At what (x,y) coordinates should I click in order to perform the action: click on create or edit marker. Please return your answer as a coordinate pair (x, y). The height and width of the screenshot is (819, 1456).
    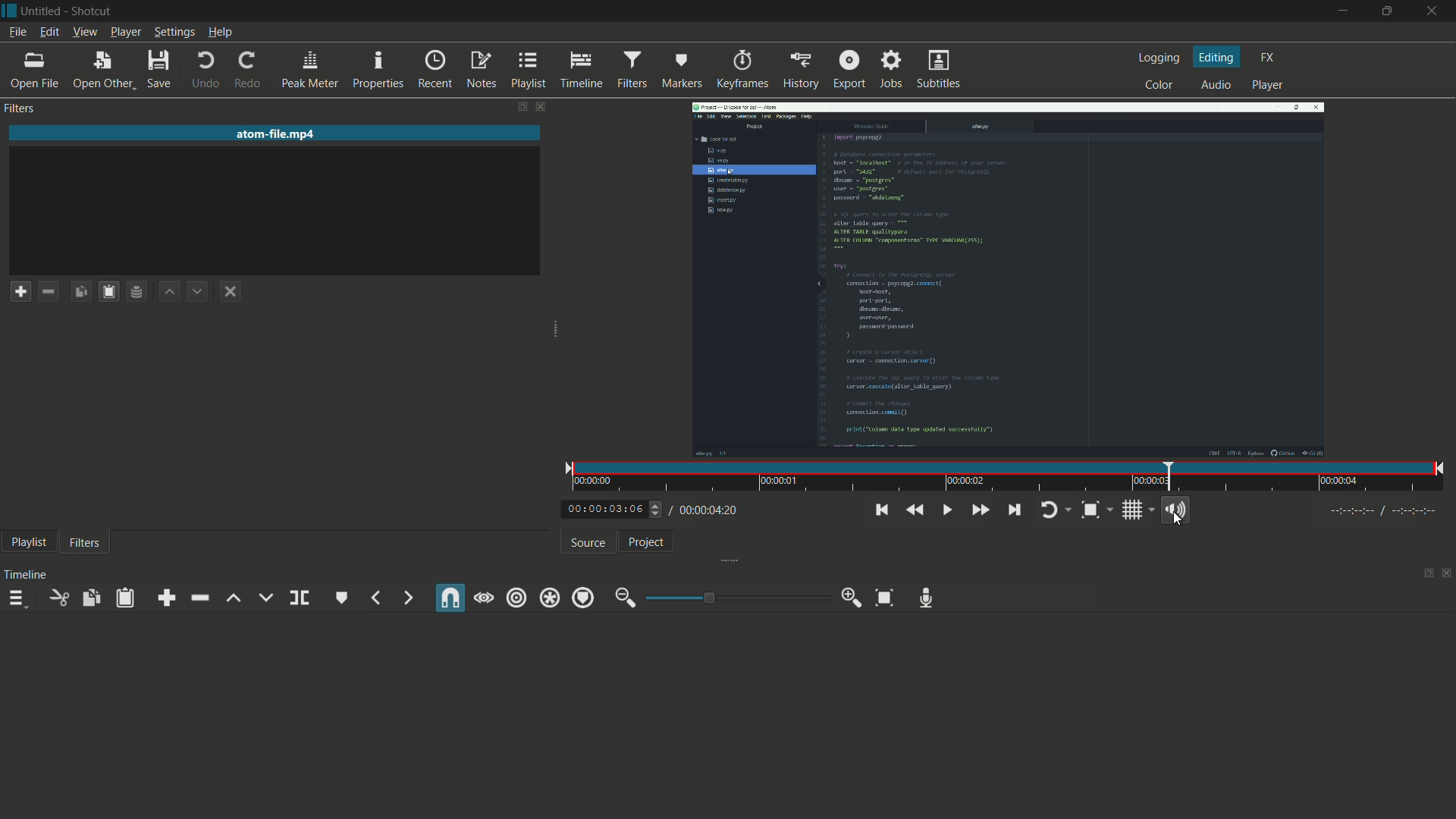
    Looking at the image, I should click on (340, 598).